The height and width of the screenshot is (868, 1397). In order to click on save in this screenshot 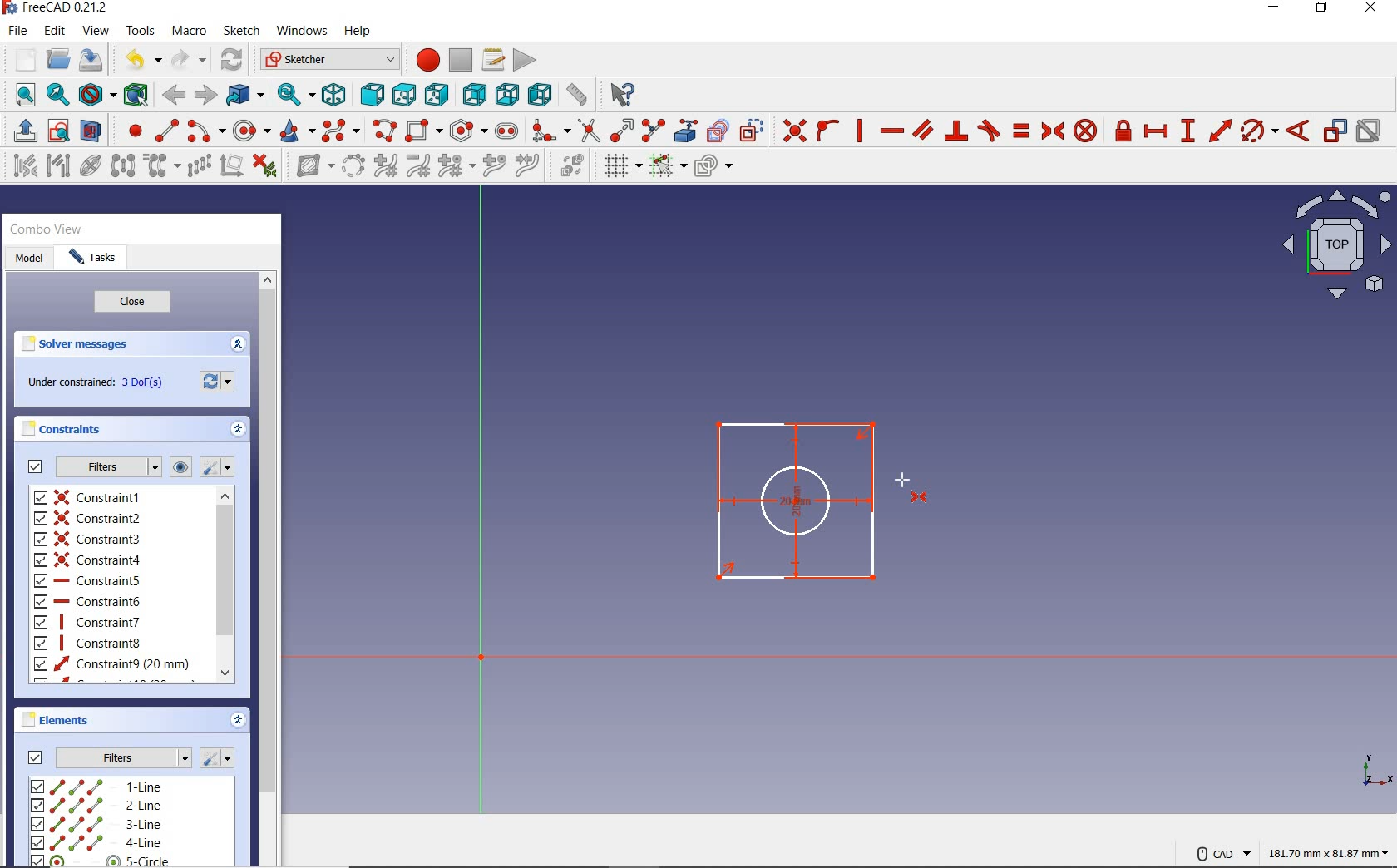, I will do `click(93, 60)`.